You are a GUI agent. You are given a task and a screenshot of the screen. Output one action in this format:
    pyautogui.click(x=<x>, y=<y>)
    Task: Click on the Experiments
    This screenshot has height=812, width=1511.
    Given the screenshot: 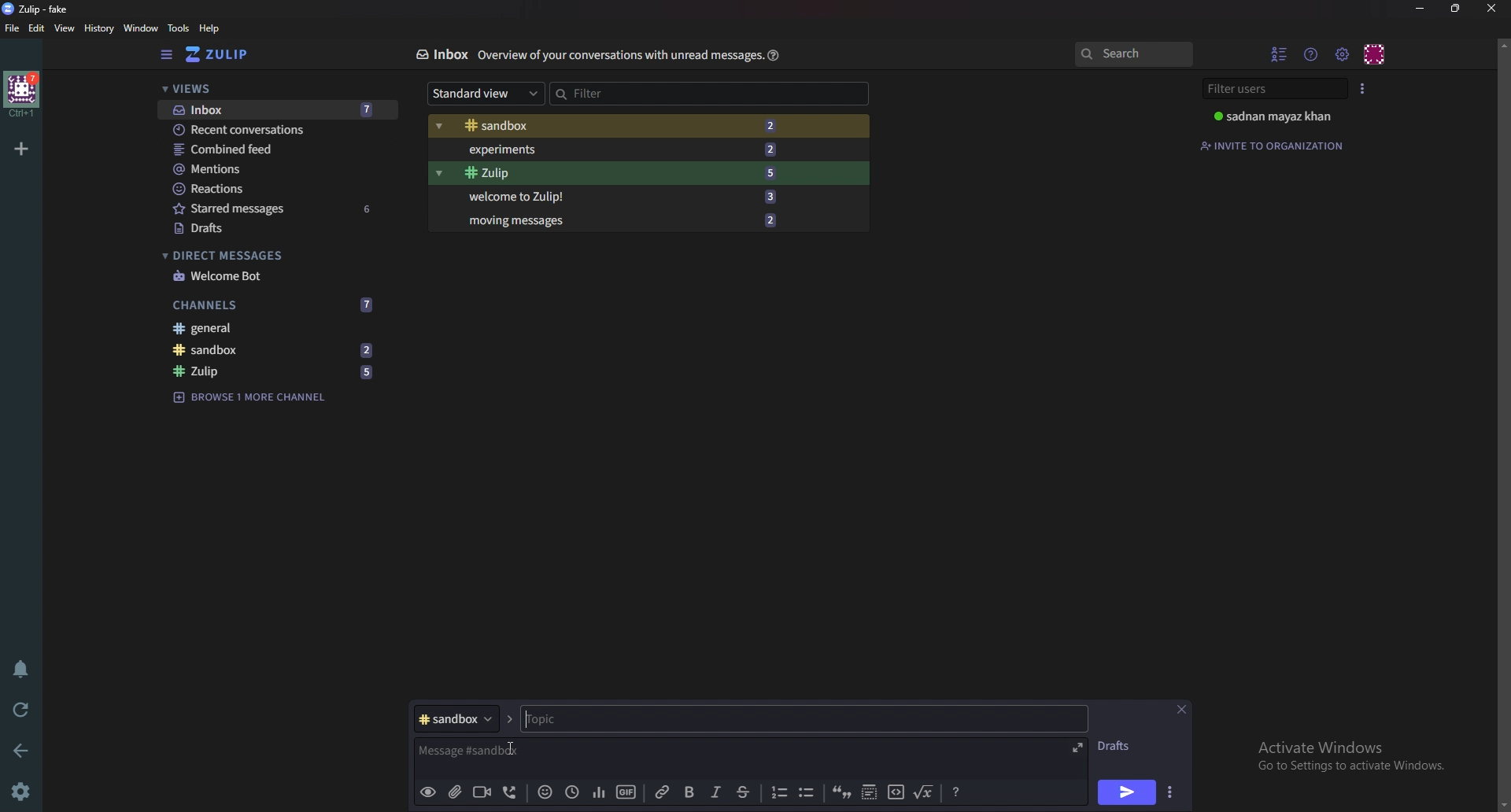 What is the action you would take?
    pyautogui.click(x=618, y=149)
    